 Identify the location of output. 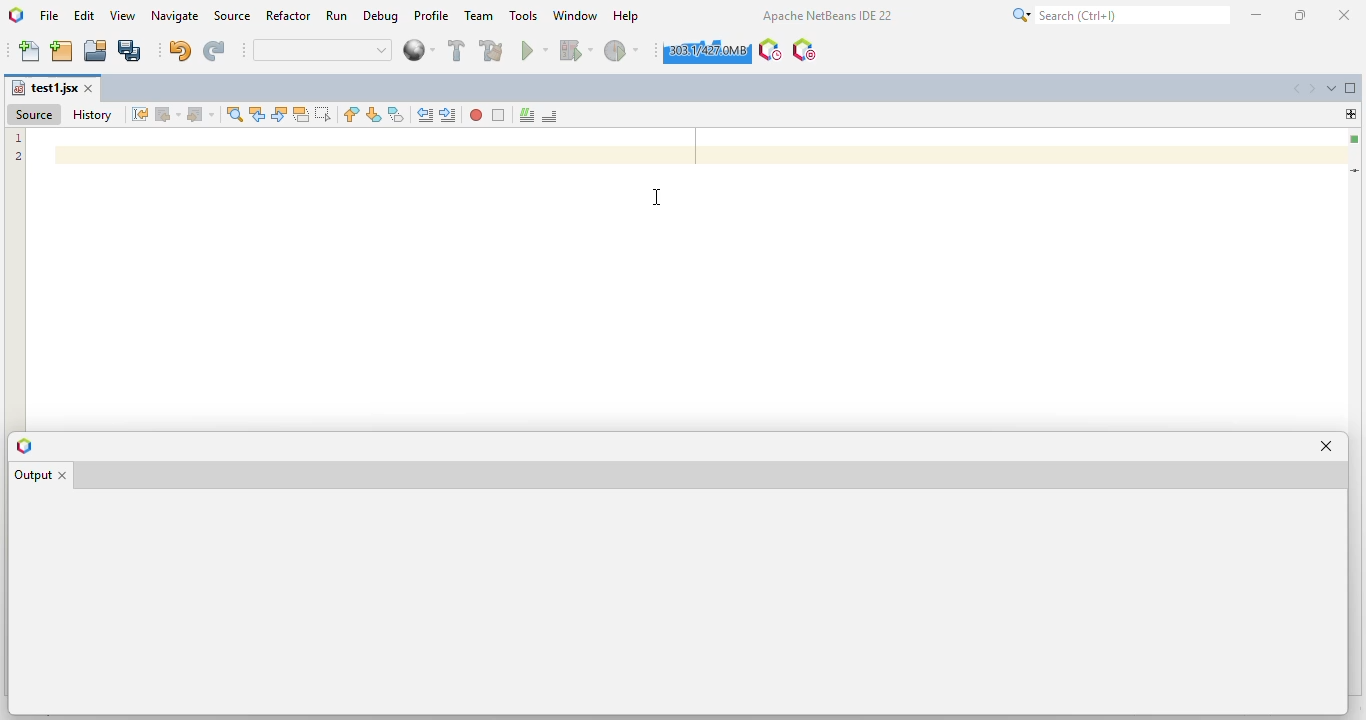
(32, 476).